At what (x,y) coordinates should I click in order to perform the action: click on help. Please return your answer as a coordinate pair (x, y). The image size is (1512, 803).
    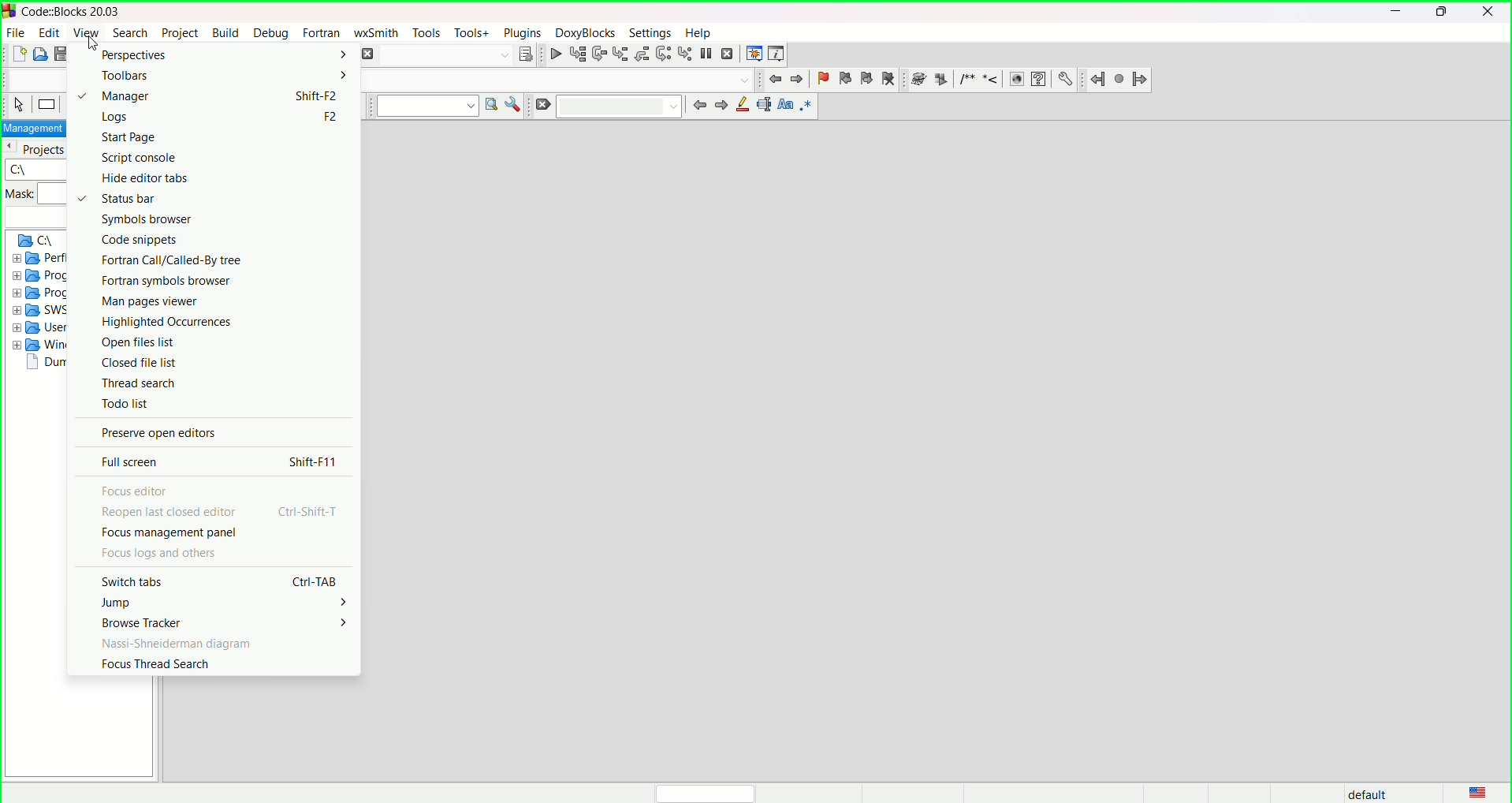
    Looking at the image, I should click on (700, 31).